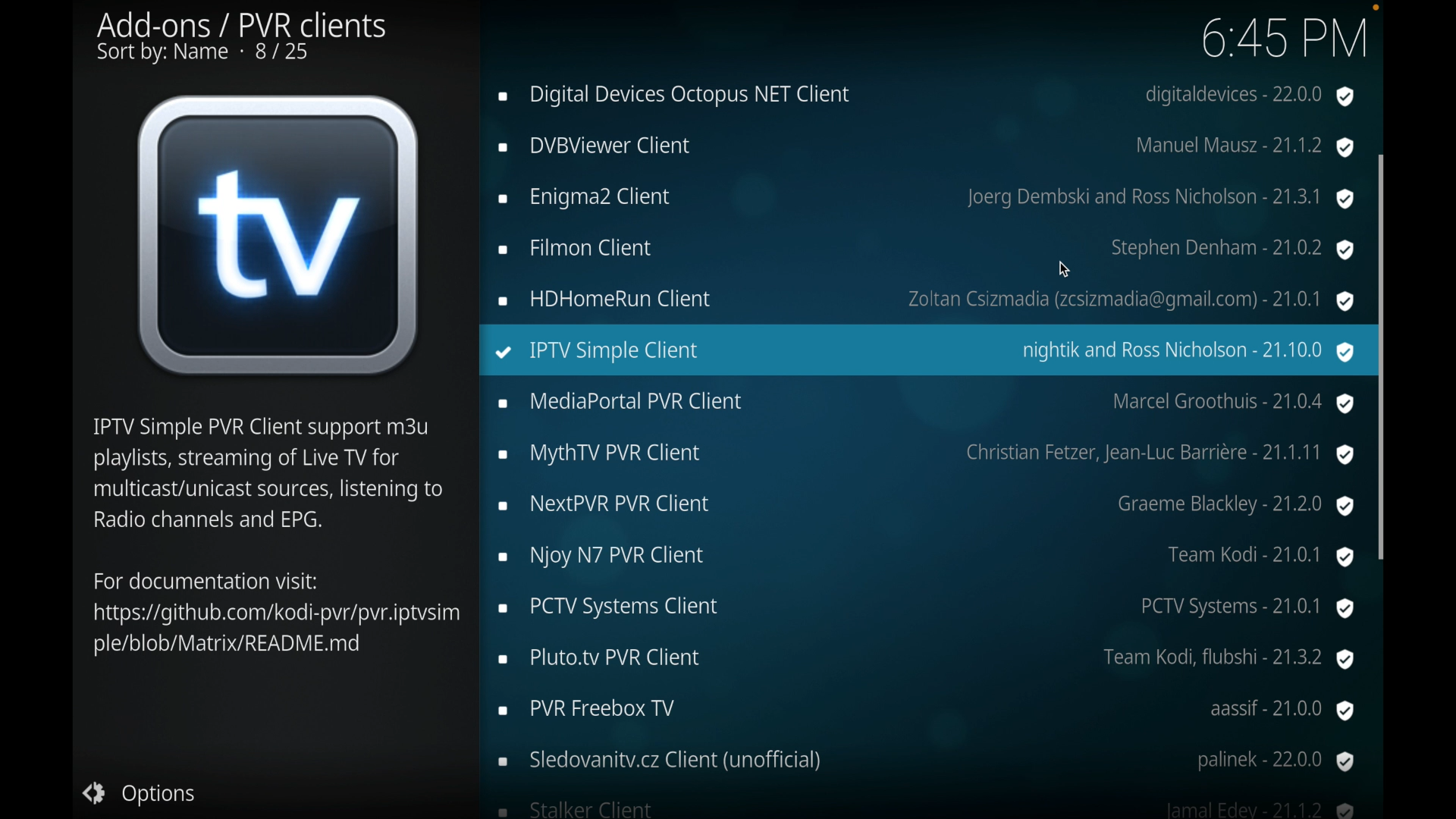 The height and width of the screenshot is (819, 1456). What do you see at coordinates (924, 147) in the screenshot?
I see `Dvbviewer client` at bounding box center [924, 147].